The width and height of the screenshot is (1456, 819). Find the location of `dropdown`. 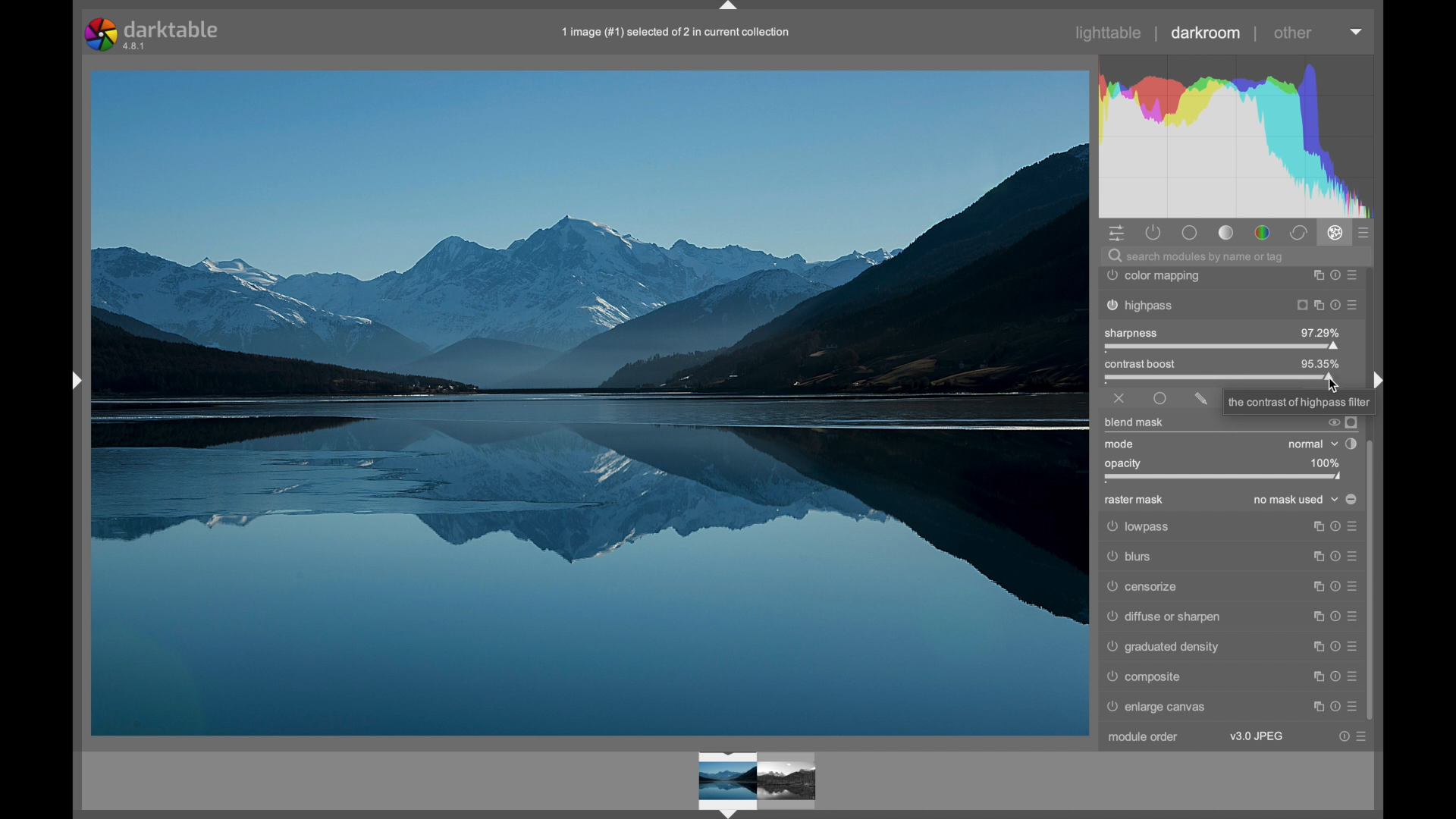

dropdown is located at coordinates (1357, 32).